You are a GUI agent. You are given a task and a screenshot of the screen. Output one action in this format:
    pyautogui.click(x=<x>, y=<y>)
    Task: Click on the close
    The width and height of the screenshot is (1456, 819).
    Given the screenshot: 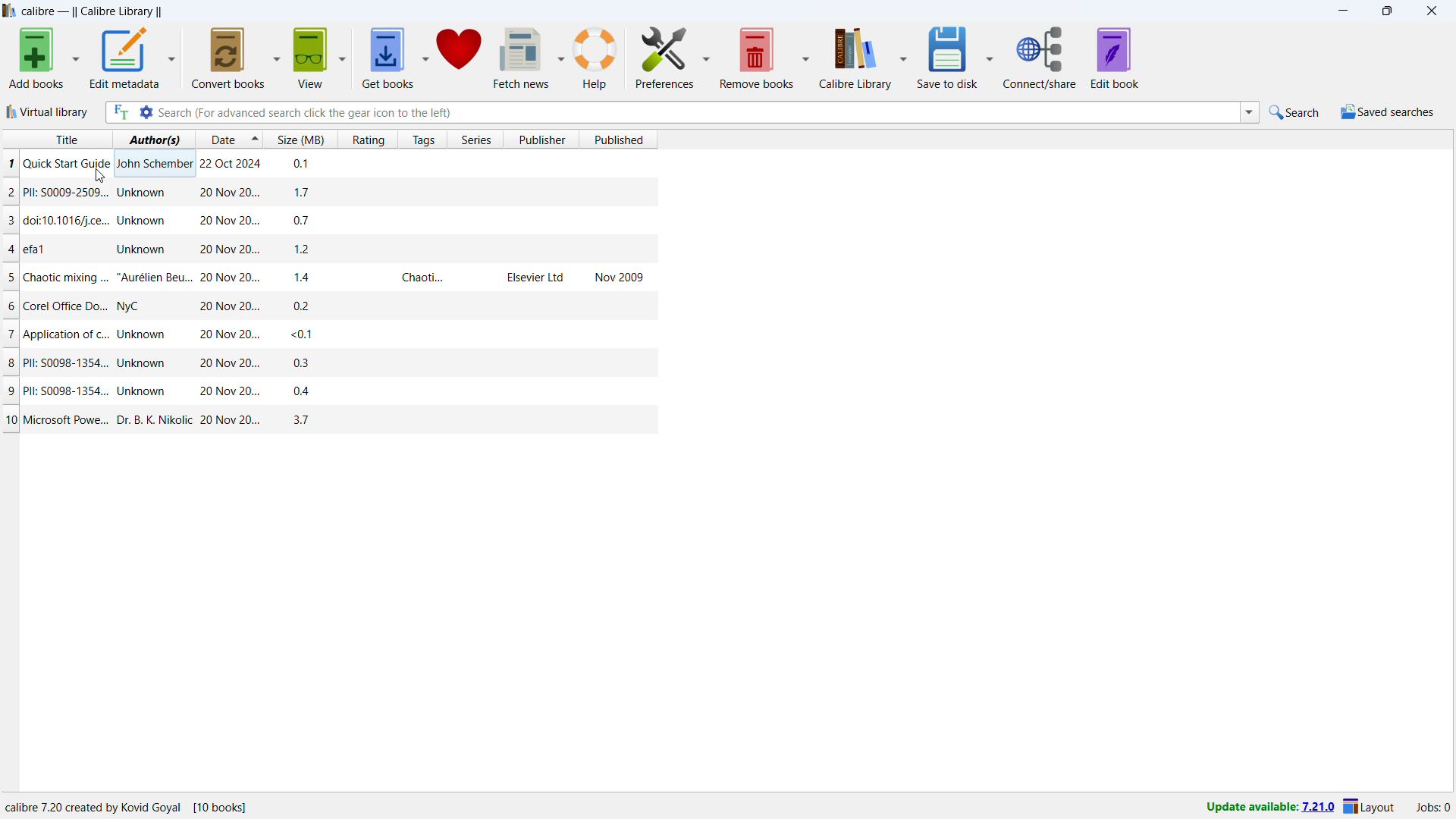 What is the action you would take?
    pyautogui.click(x=1431, y=11)
    